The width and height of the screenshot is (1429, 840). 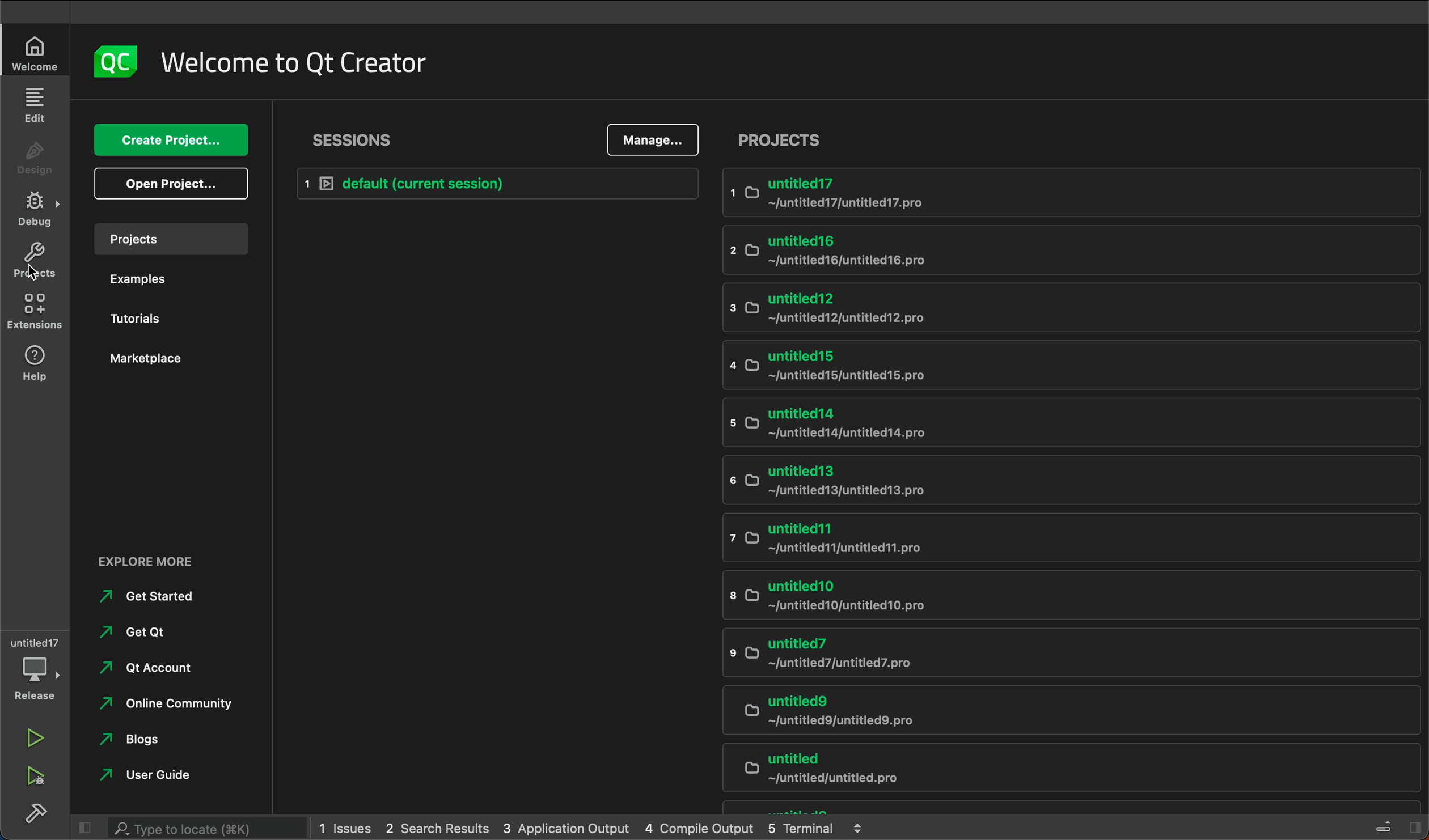 What do you see at coordinates (1033, 477) in the screenshot?
I see `untitled13` at bounding box center [1033, 477].